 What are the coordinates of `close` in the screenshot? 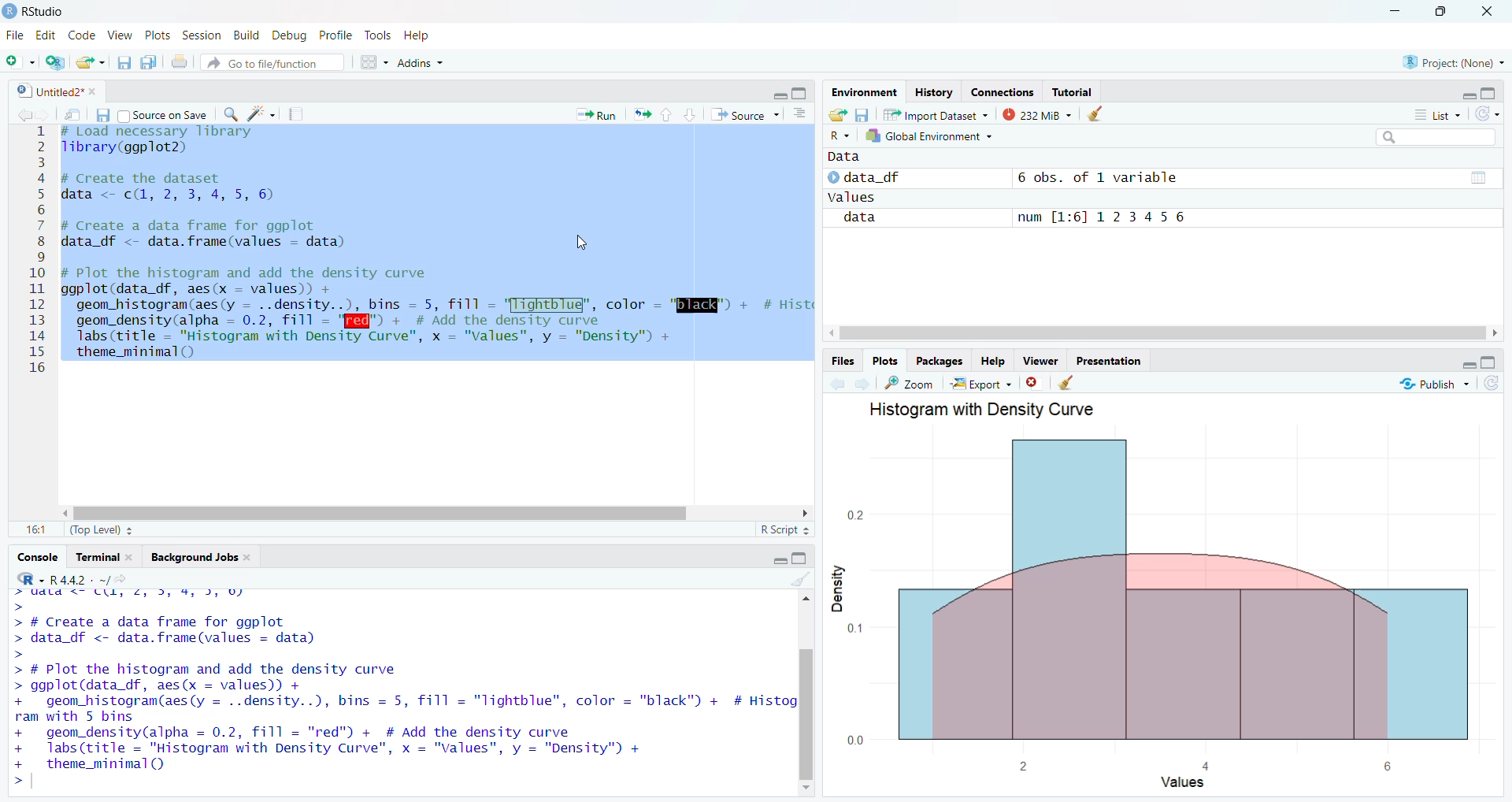 It's located at (249, 557).